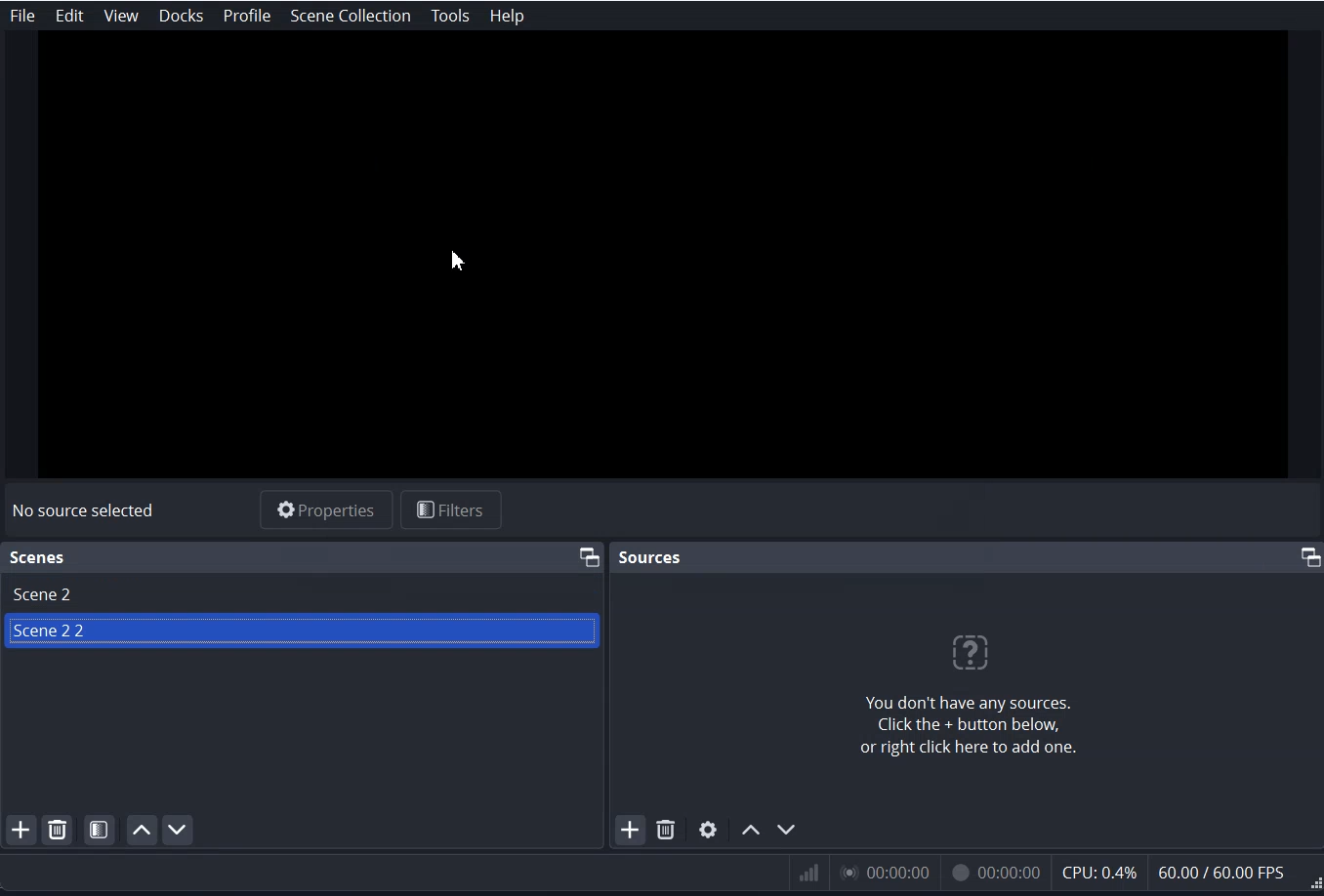 The width and height of the screenshot is (1324, 896). What do you see at coordinates (21, 16) in the screenshot?
I see `File` at bounding box center [21, 16].